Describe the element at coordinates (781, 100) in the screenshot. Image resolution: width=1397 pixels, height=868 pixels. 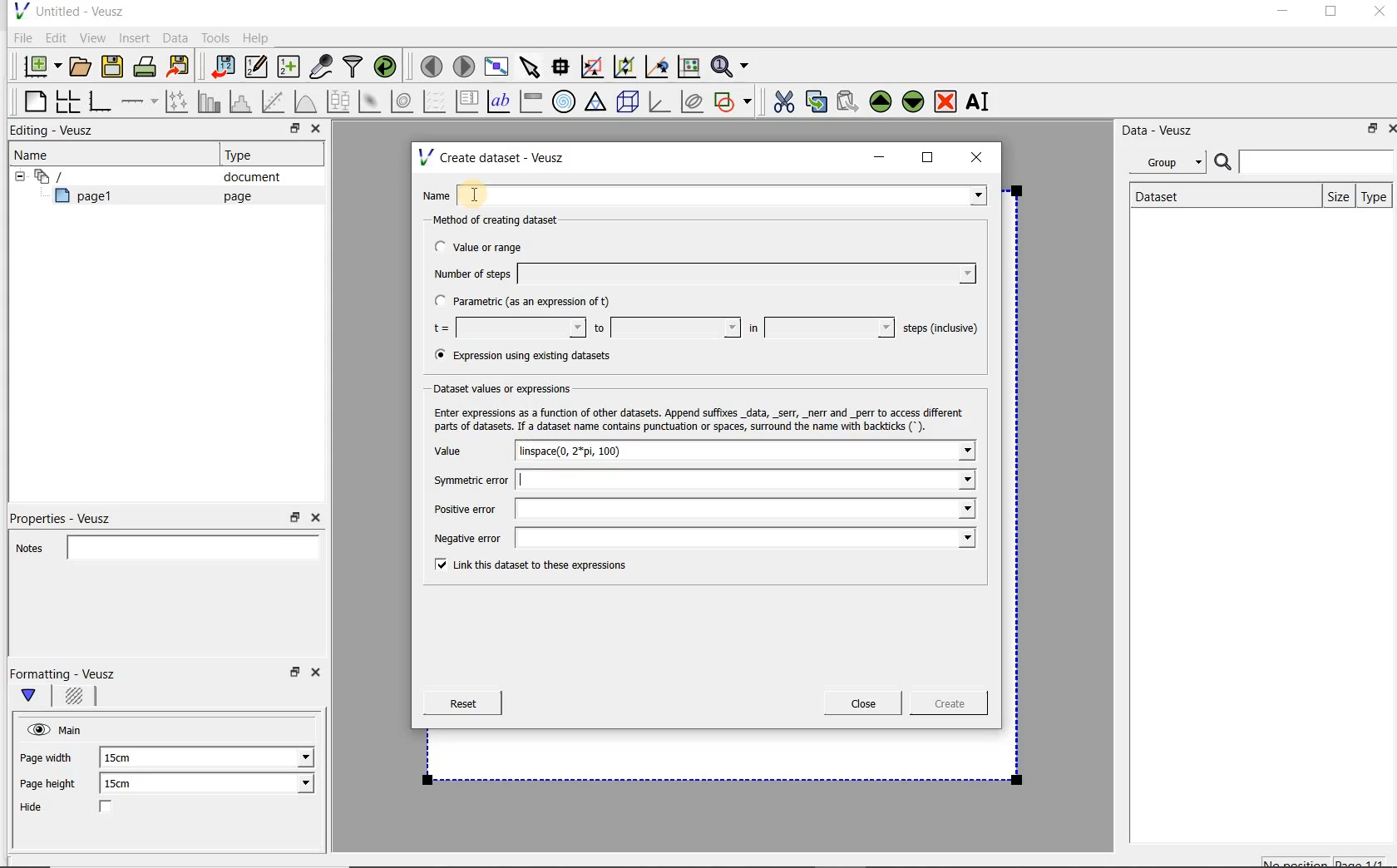
I see `cut the selected widget` at that location.